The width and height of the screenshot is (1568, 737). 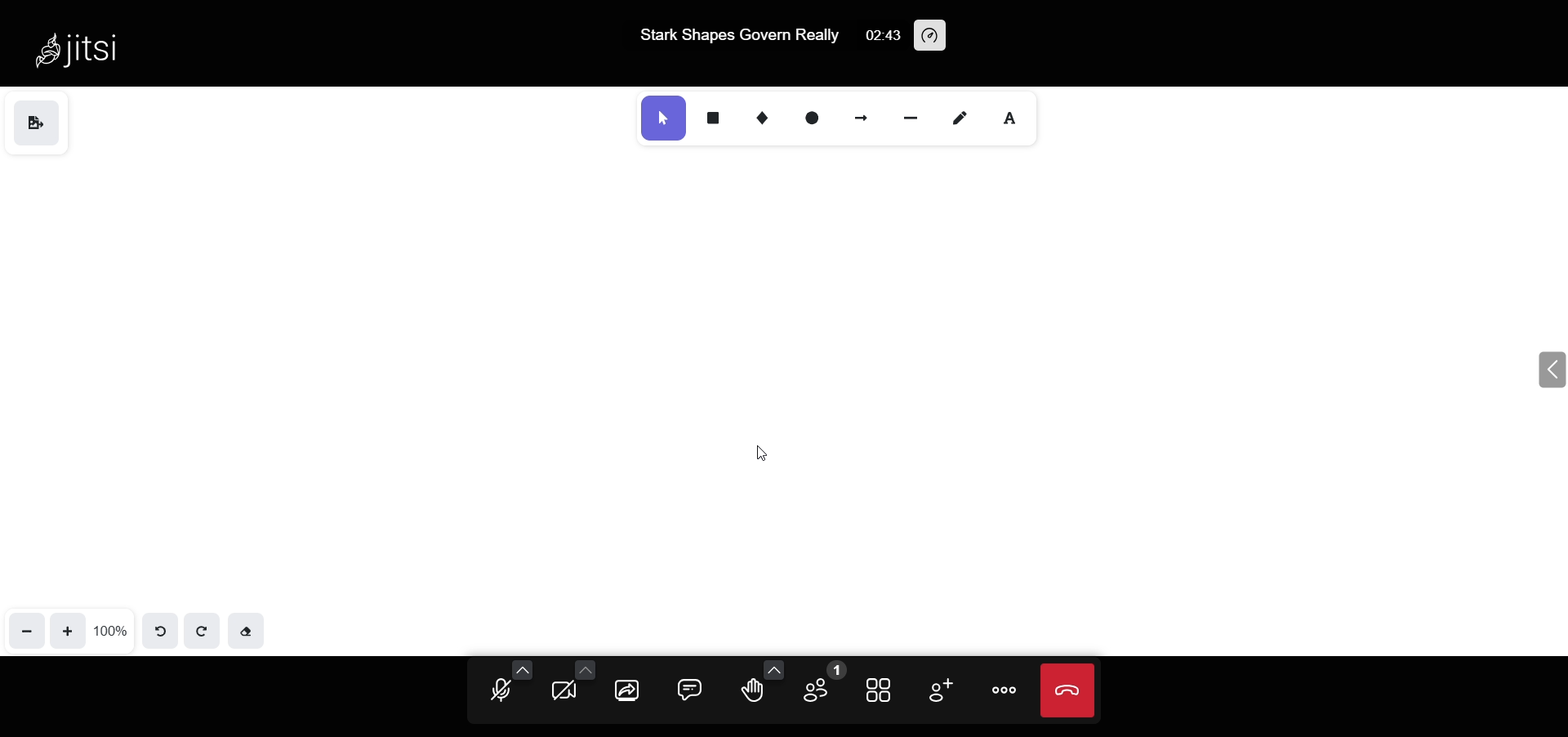 What do you see at coordinates (28, 629) in the screenshot?
I see `zoom out` at bounding box center [28, 629].